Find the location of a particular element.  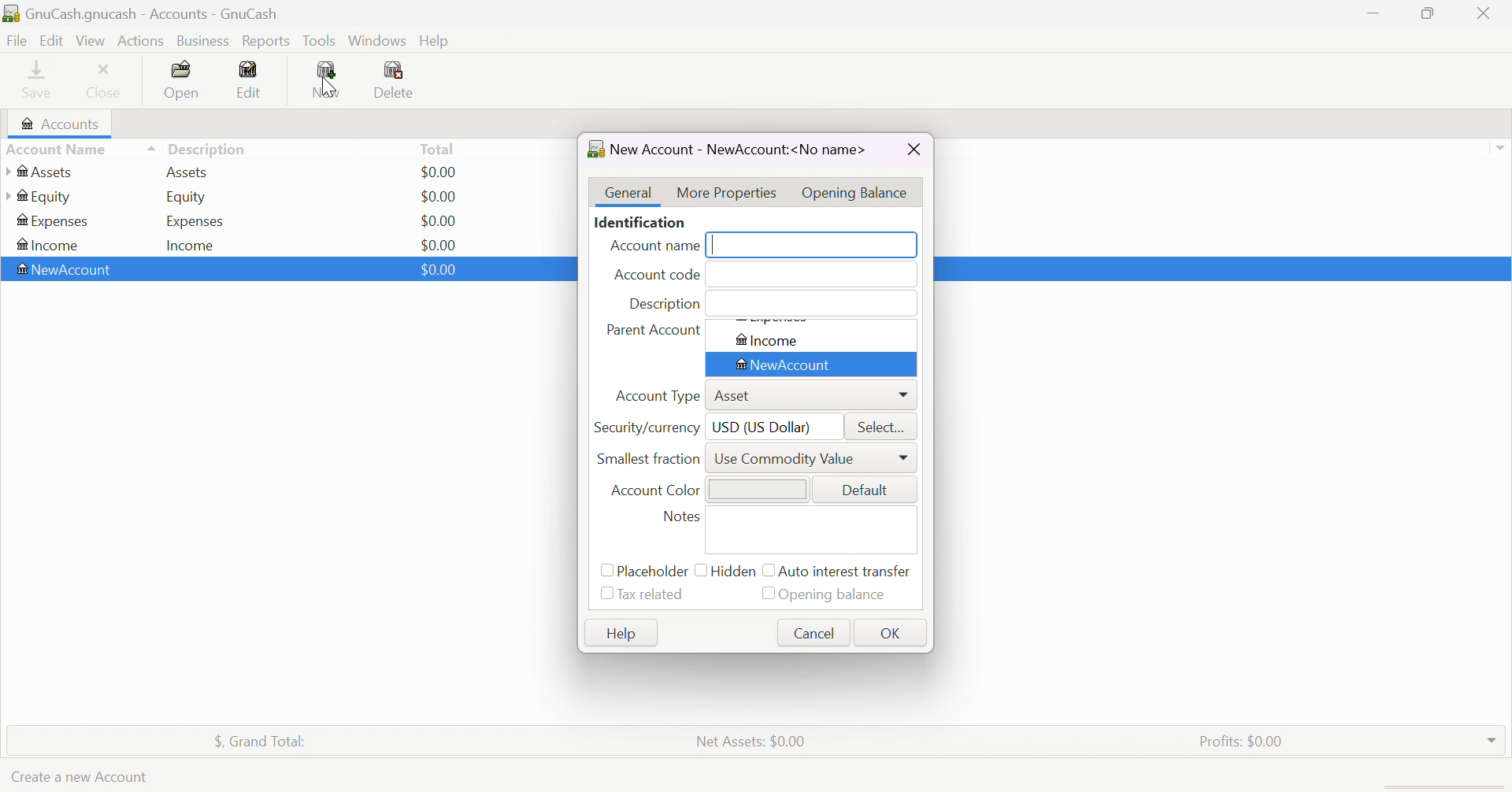

Parent Account is located at coordinates (653, 329).